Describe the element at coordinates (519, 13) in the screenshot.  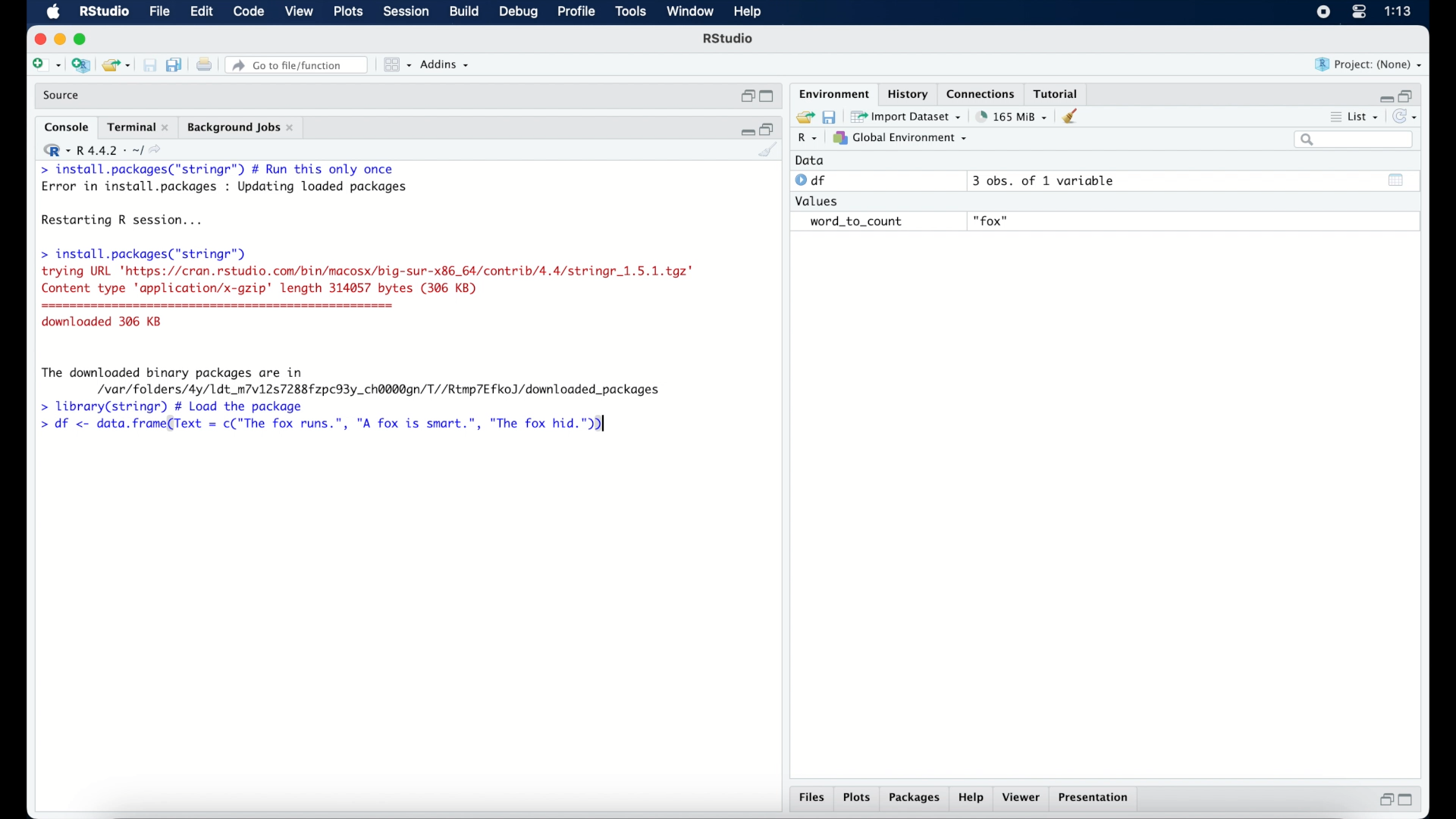
I see `debug` at that location.